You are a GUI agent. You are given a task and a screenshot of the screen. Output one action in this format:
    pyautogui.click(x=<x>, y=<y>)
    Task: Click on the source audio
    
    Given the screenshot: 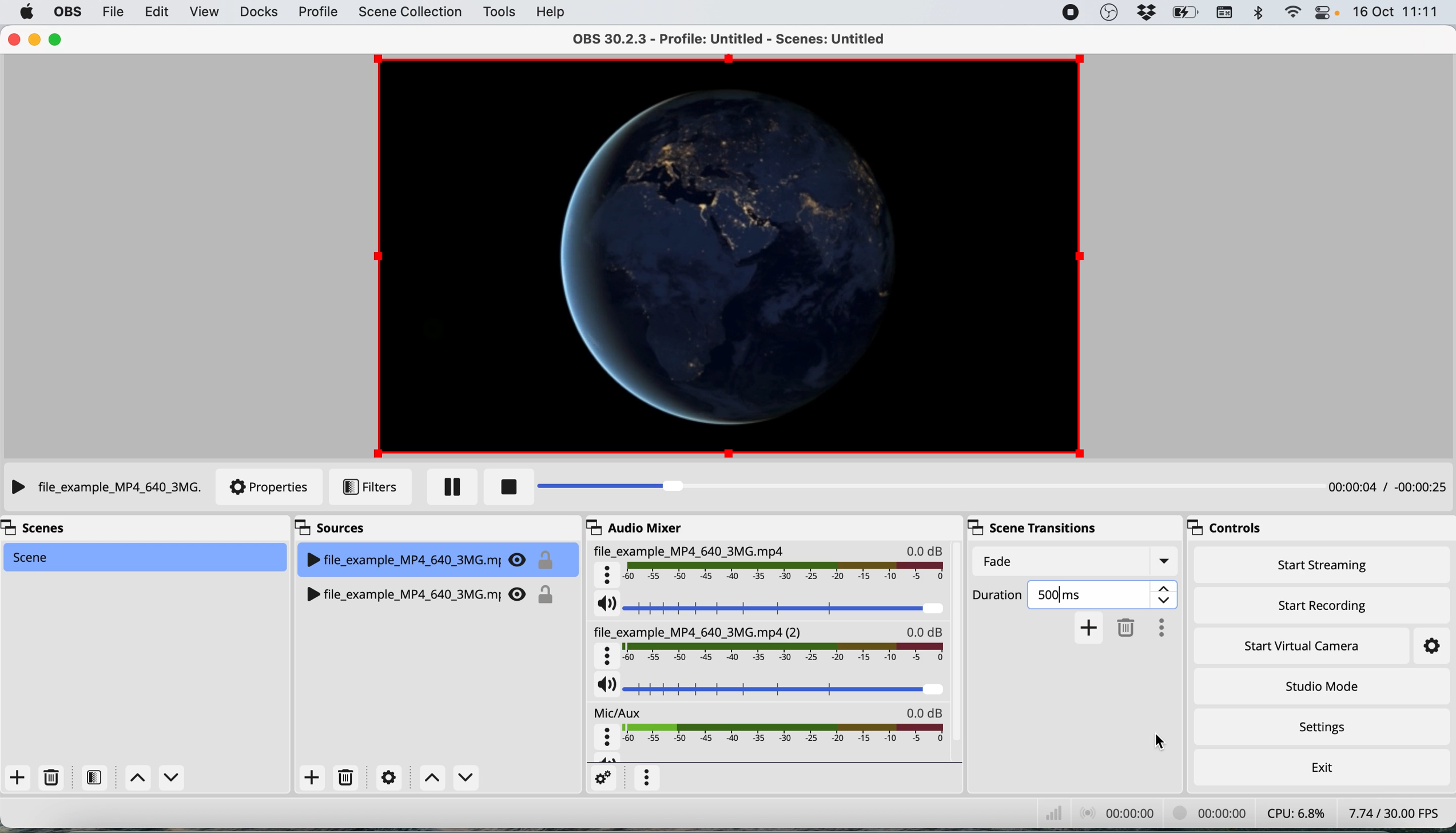 What is the action you would take?
    pyautogui.click(x=766, y=644)
    